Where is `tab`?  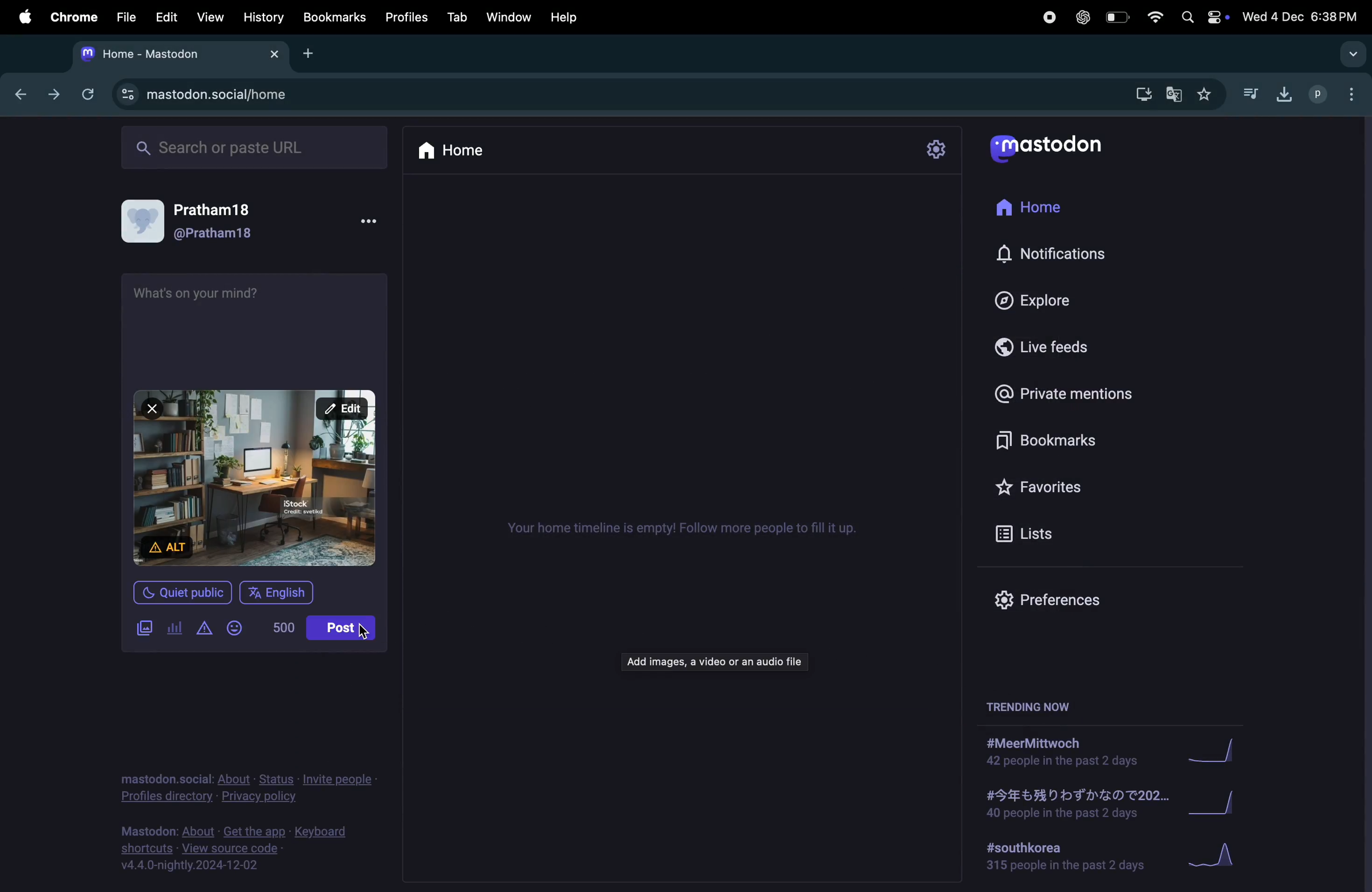 tab is located at coordinates (457, 17).